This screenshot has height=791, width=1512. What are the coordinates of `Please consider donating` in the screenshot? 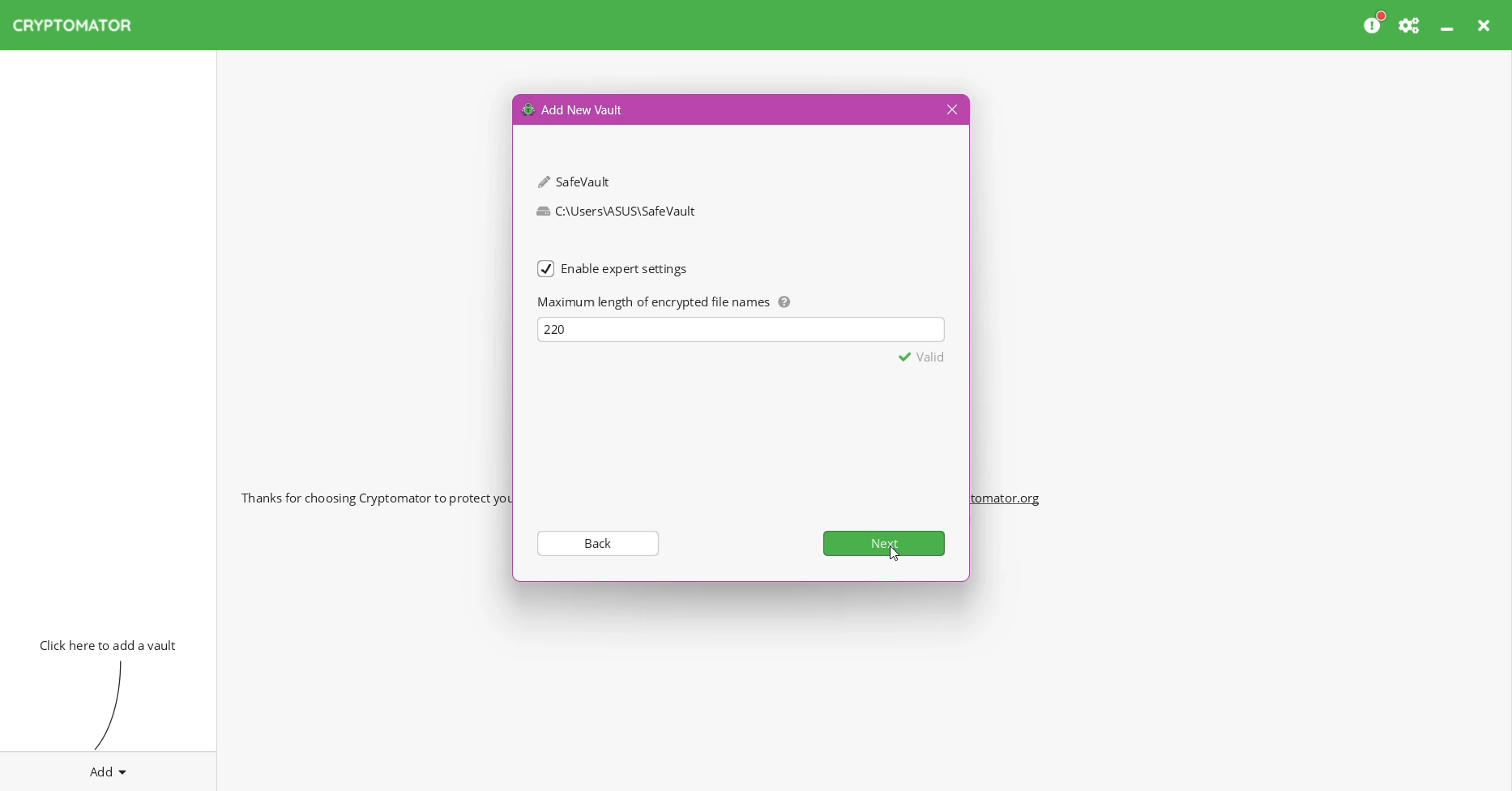 It's located at (1375, 24).